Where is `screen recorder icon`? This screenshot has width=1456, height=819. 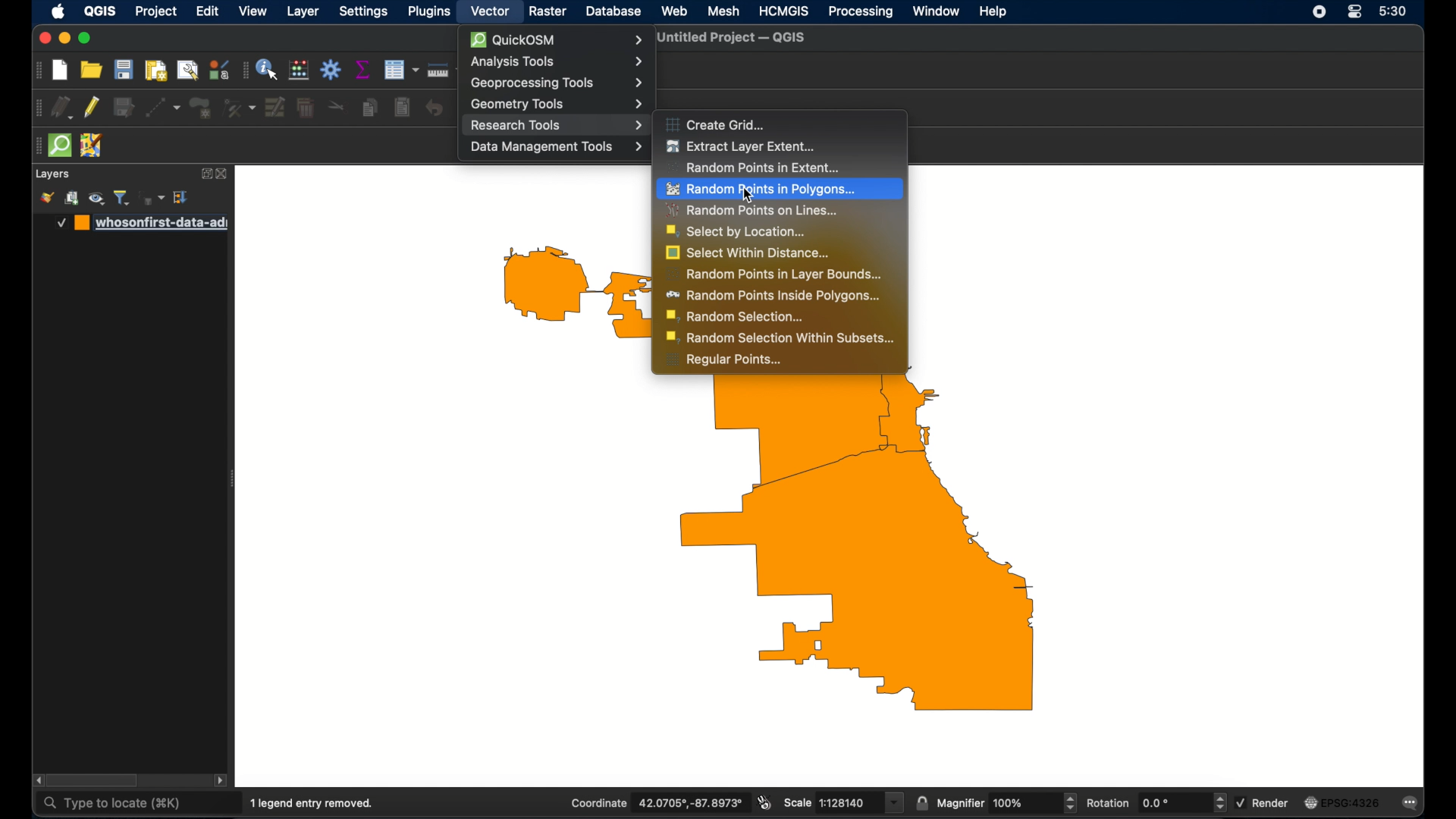 screen recorder icon is located at coordinates (1319, 12).